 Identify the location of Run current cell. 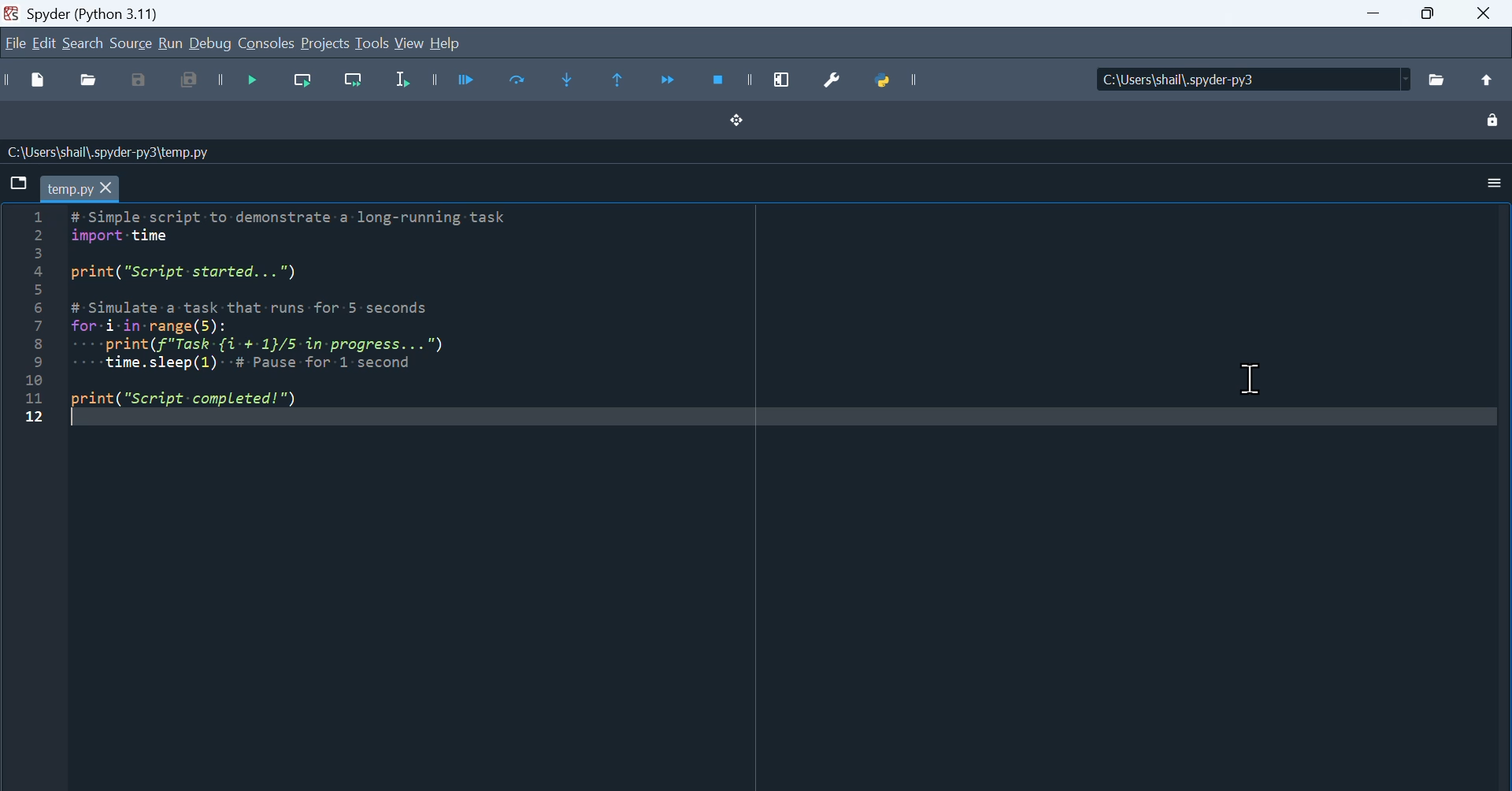
(519, 83).